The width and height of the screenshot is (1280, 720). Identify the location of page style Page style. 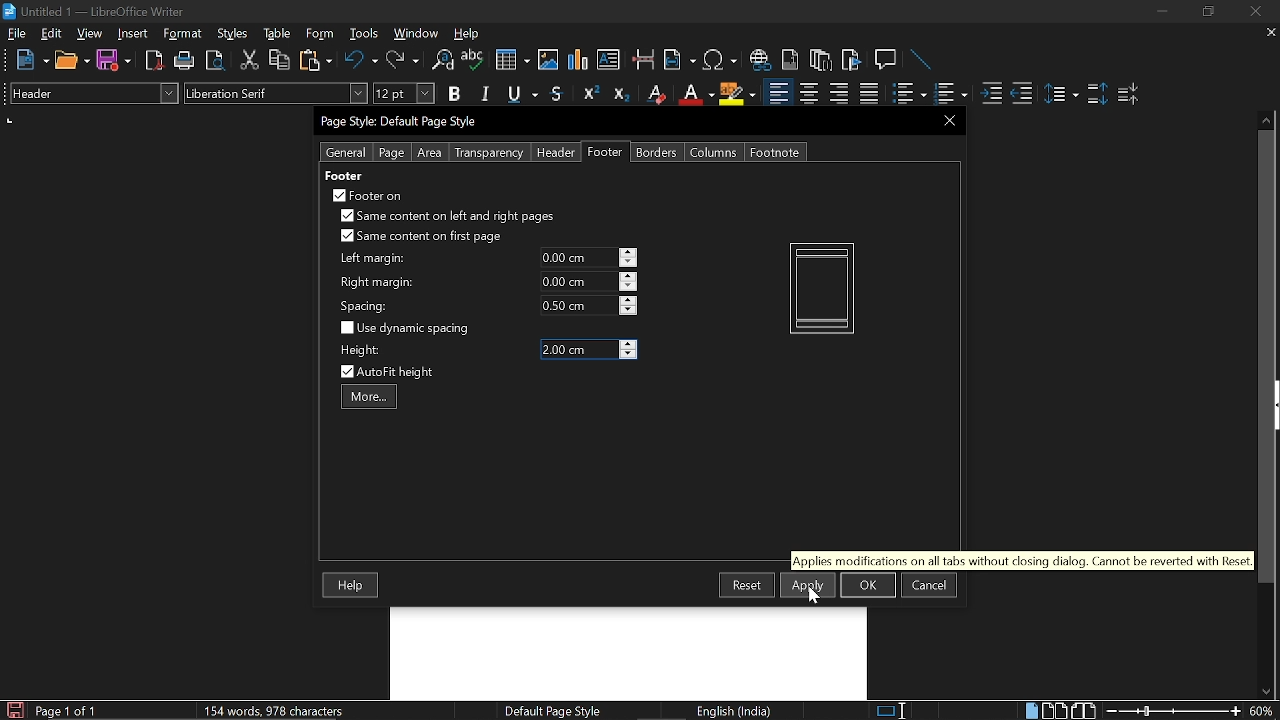
(556, 711).